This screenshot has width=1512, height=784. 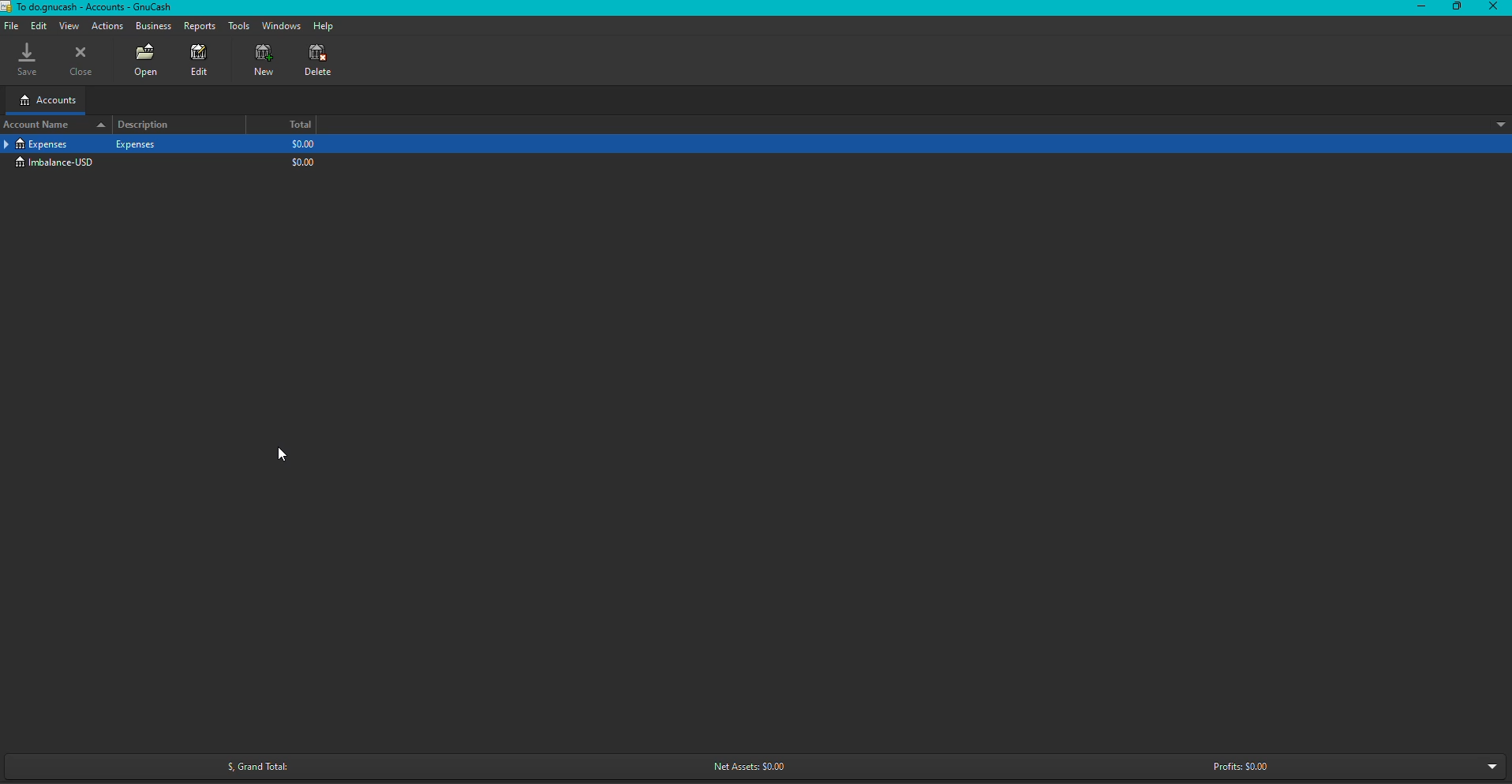 What do you see at coordinates (39, 26) in the screenshot?
I see `Edit` at bounding box center [39, 26].